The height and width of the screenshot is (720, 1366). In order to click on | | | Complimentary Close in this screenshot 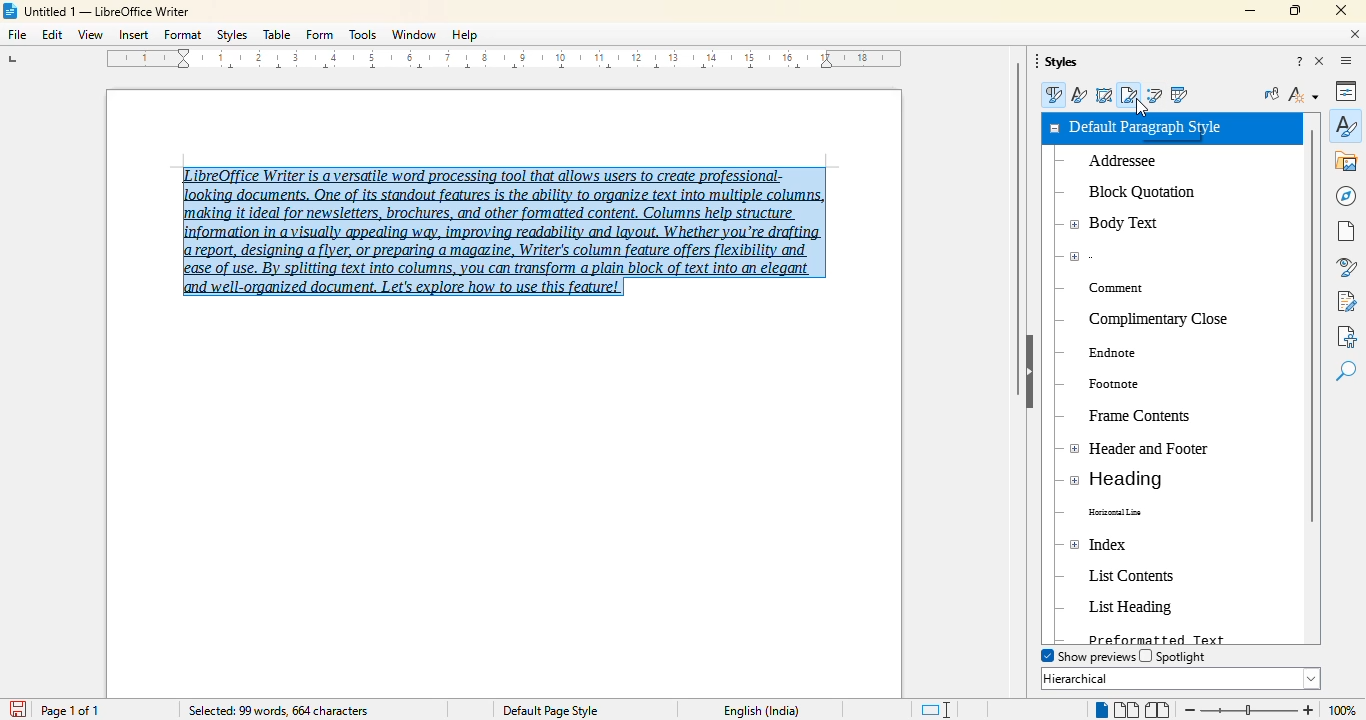, I will do `click(1152, 317)`.